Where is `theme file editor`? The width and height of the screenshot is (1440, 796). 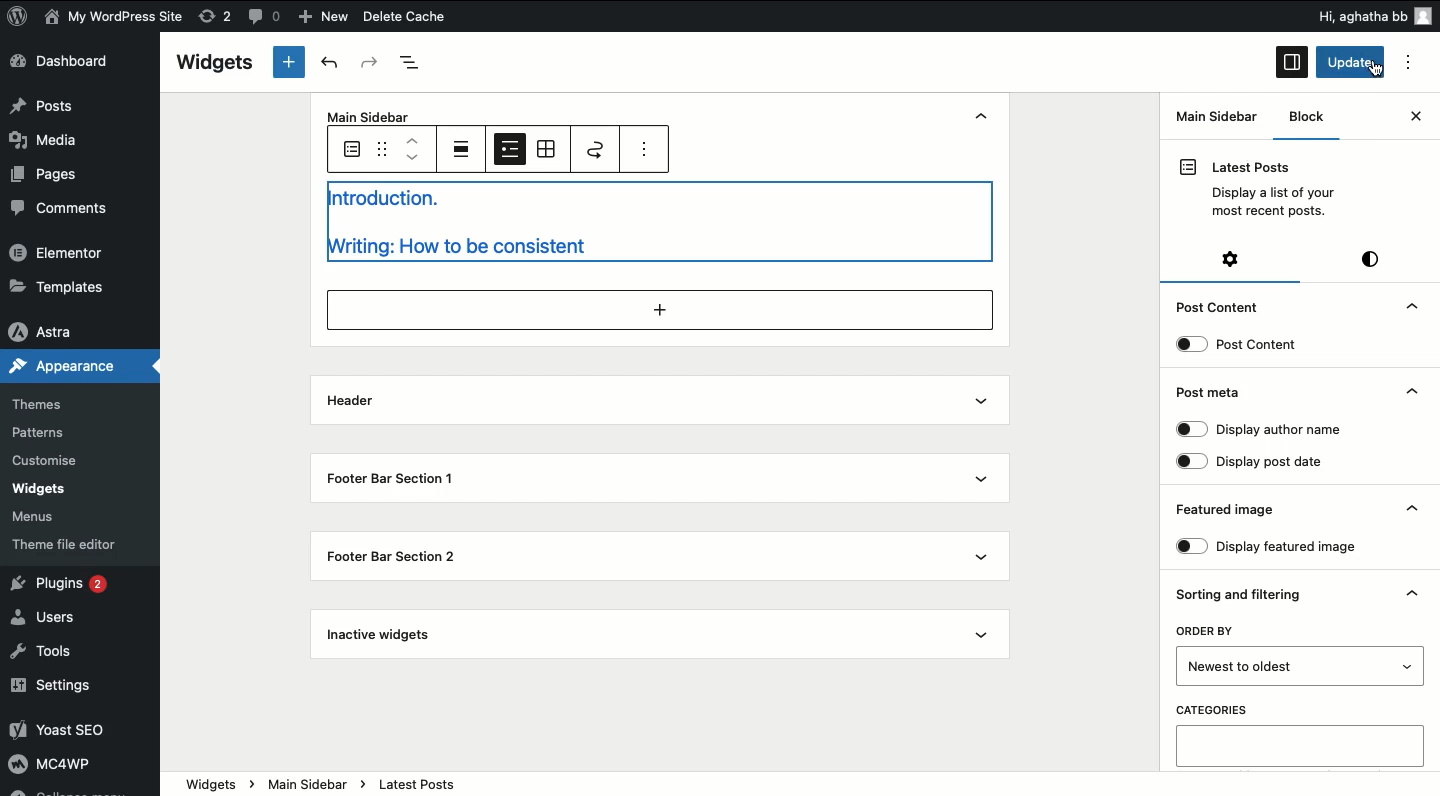
theme file editor is located at coordinates (62, 543).